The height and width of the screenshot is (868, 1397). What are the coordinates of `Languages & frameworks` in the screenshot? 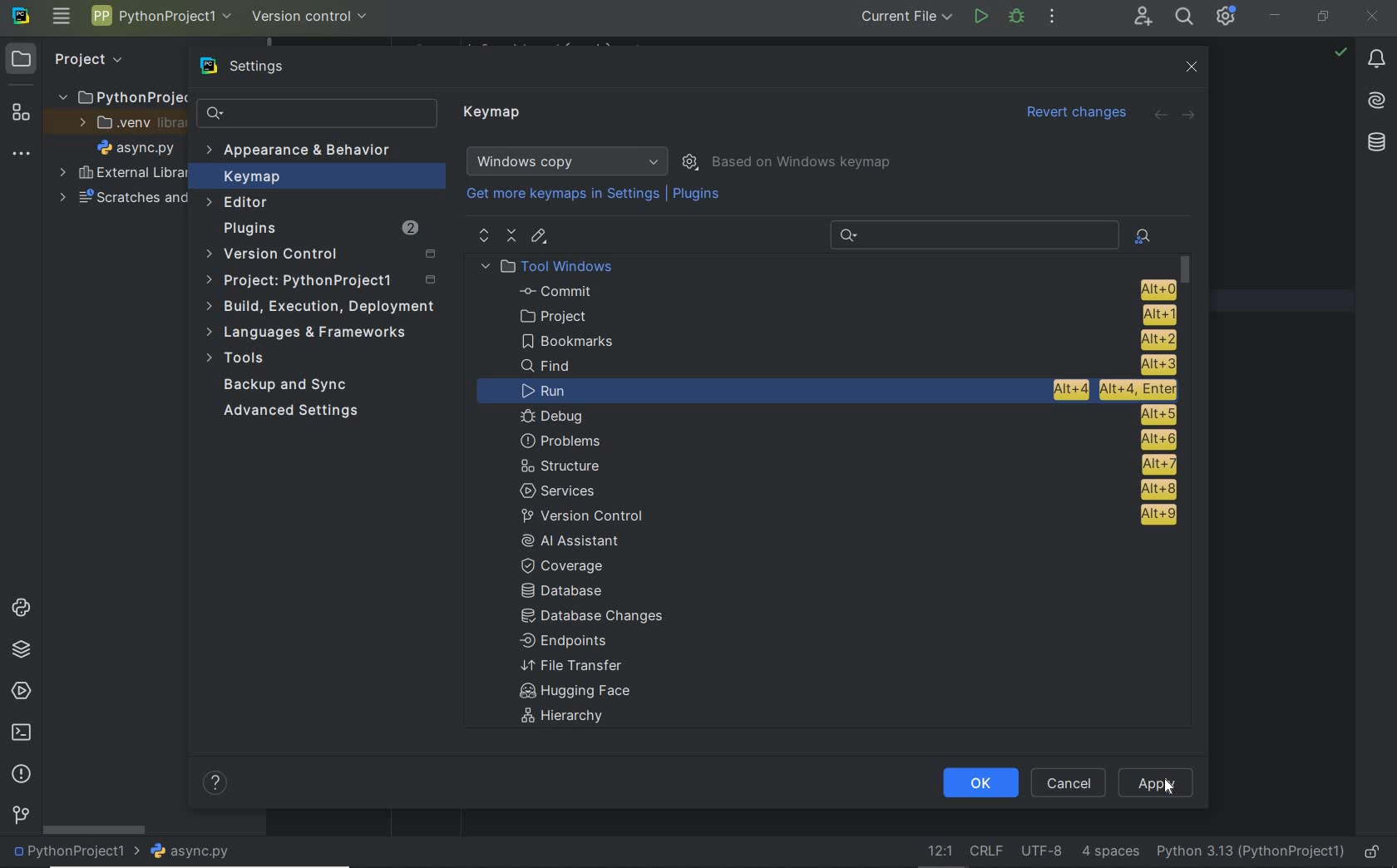 It's located at (310, 334).